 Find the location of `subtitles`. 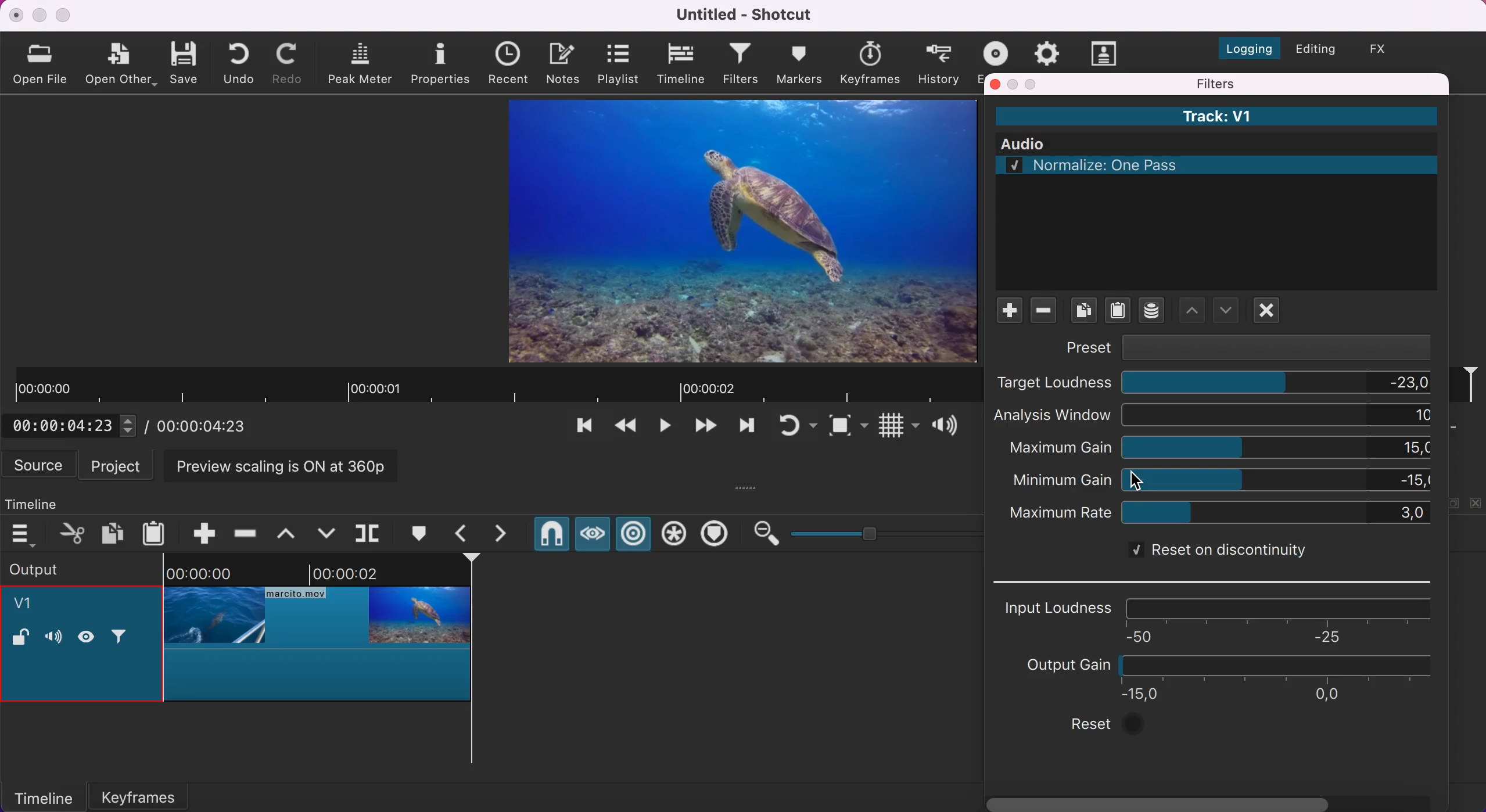

subtitles is located at coordinates (1105, 53).